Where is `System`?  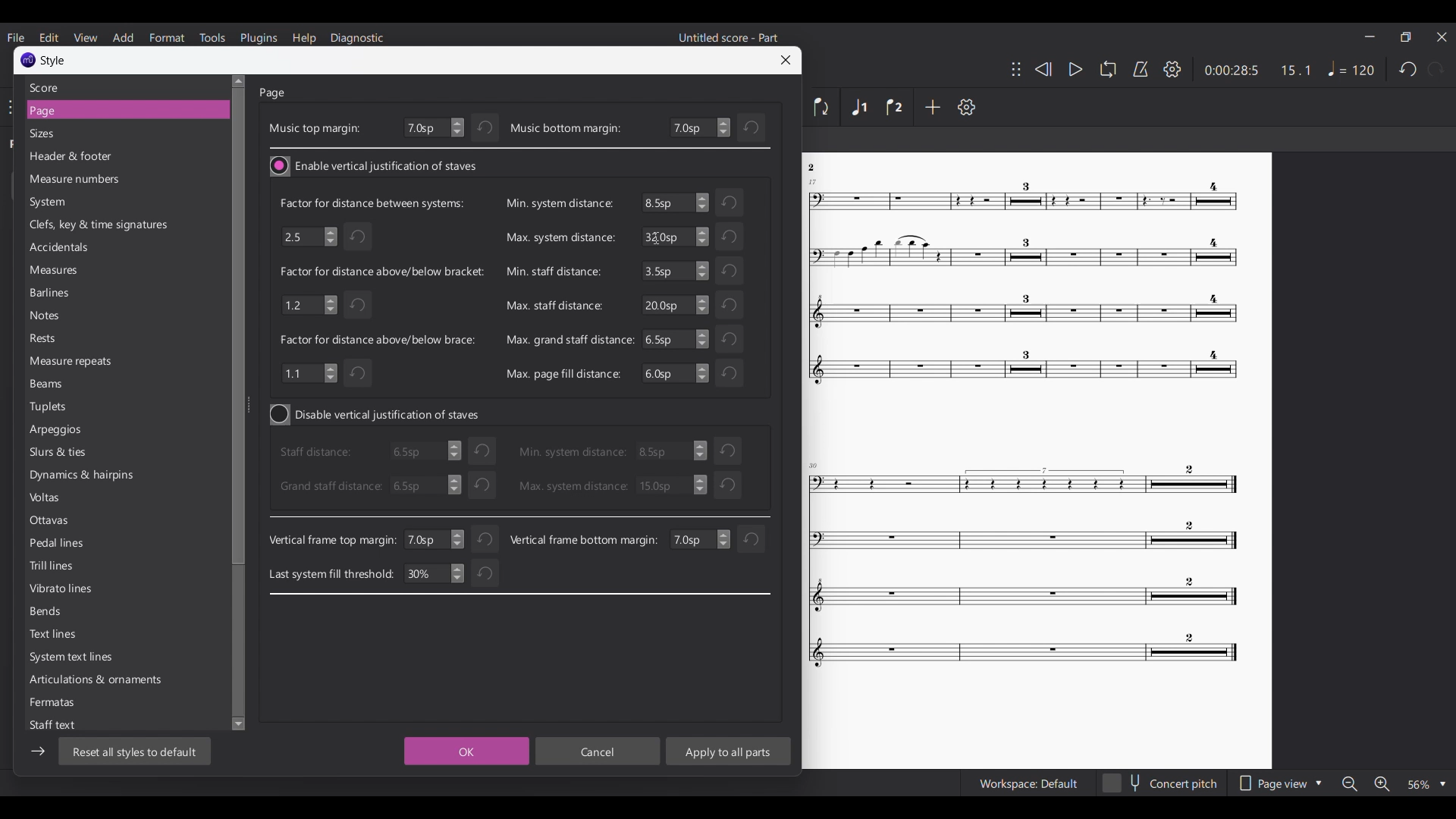
System is located at coordinates (99, 202).